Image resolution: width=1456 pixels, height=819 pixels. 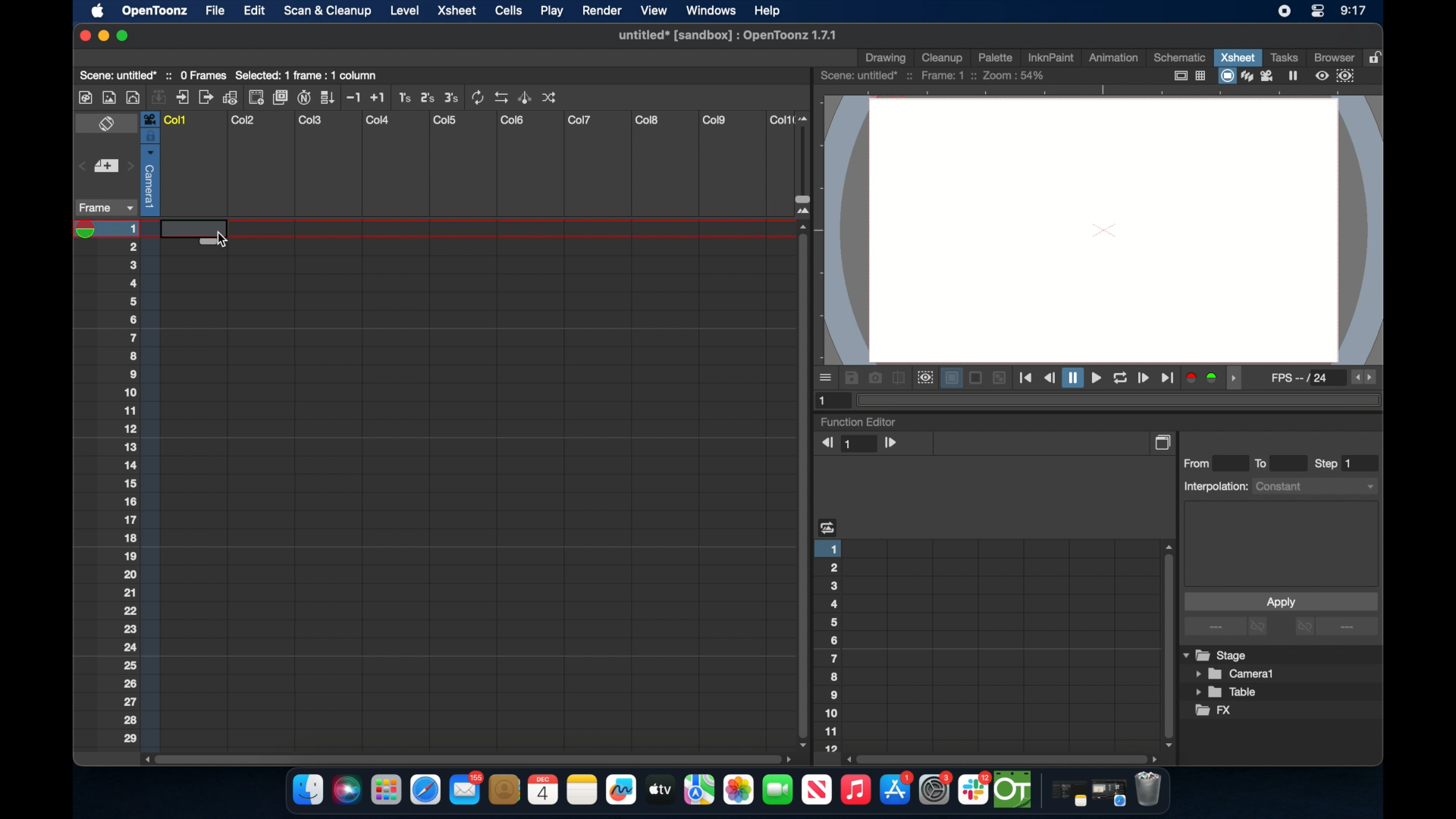 What do you see at coordinates (82, 36) in the screenshot?
I see `close` at bounding box center [82, 36].